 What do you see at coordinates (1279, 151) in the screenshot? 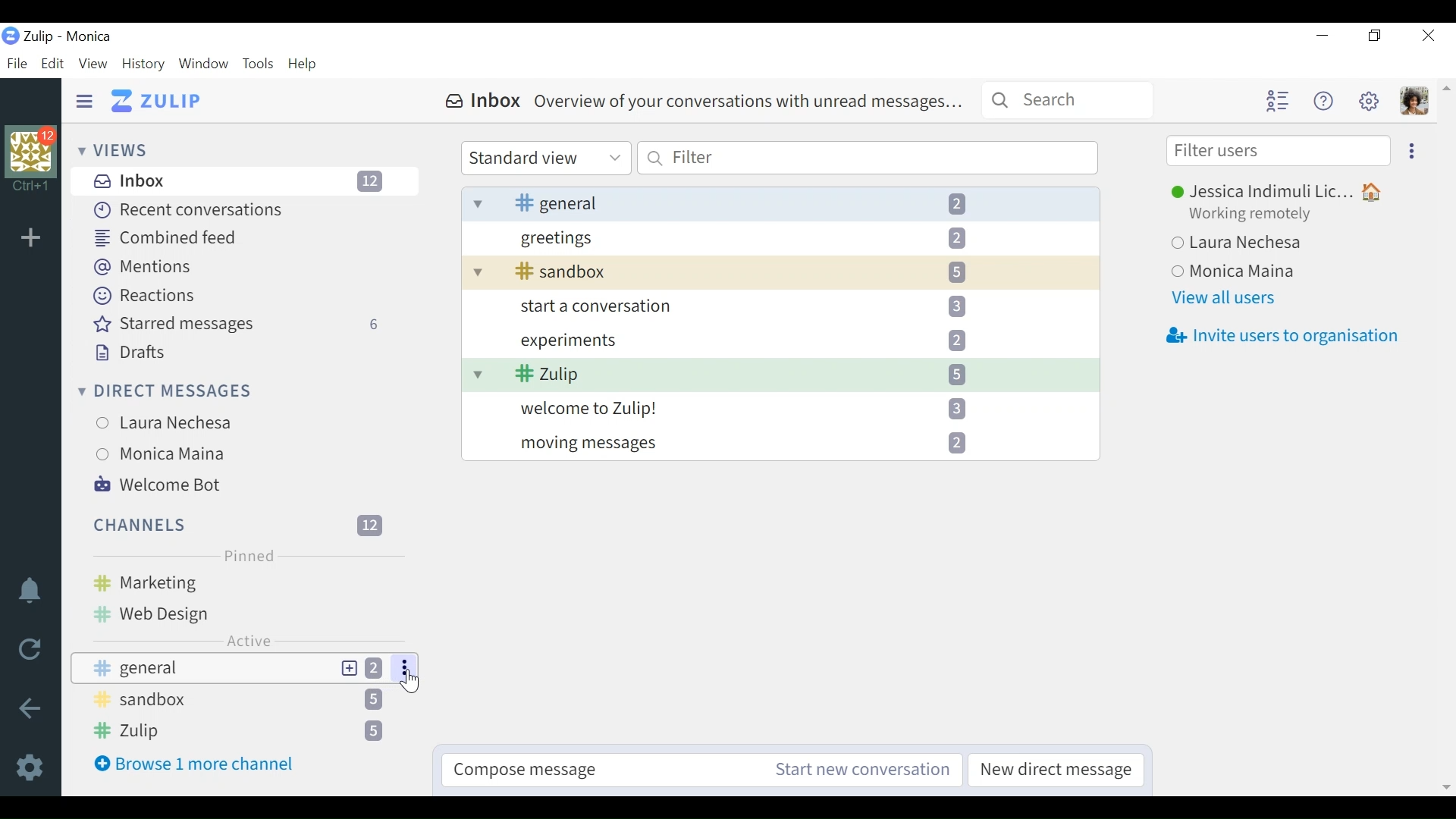
I see `Filter users` at bounding box center [1279, 151].